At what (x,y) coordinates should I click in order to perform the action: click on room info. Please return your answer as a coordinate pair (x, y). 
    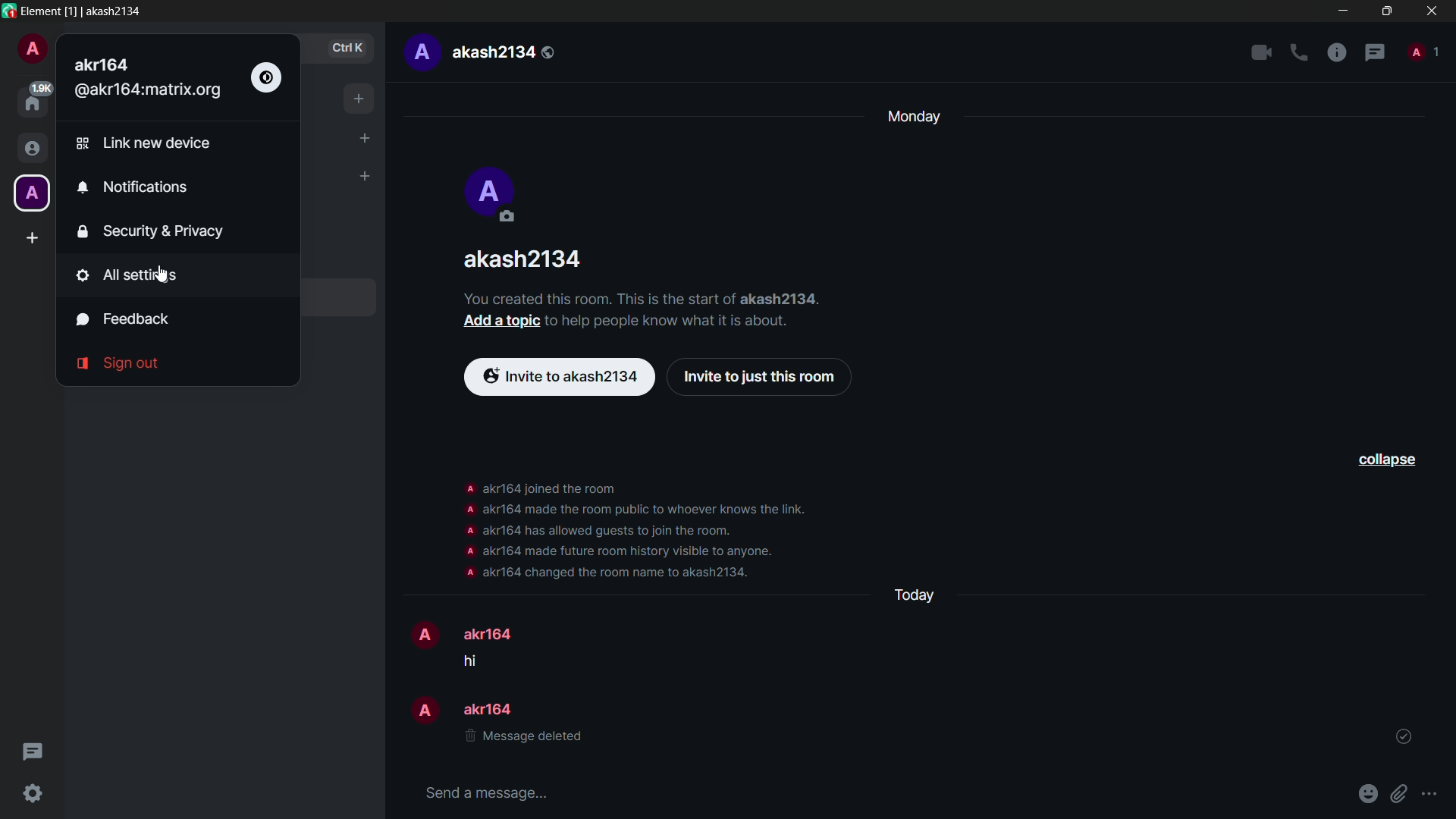
    Looking at the image, I should click on (1337, 54).